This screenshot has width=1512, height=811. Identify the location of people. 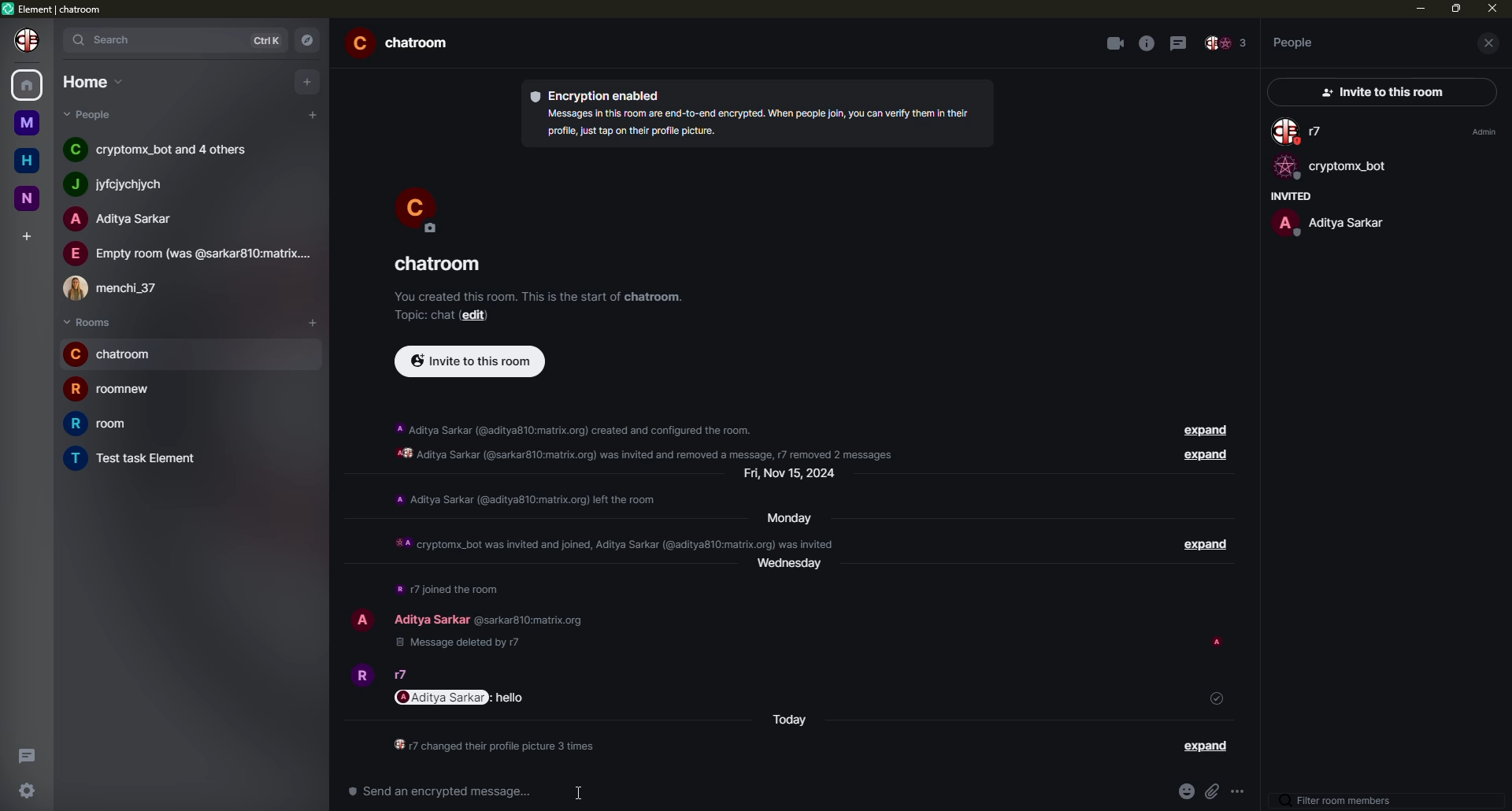
(124, 184).